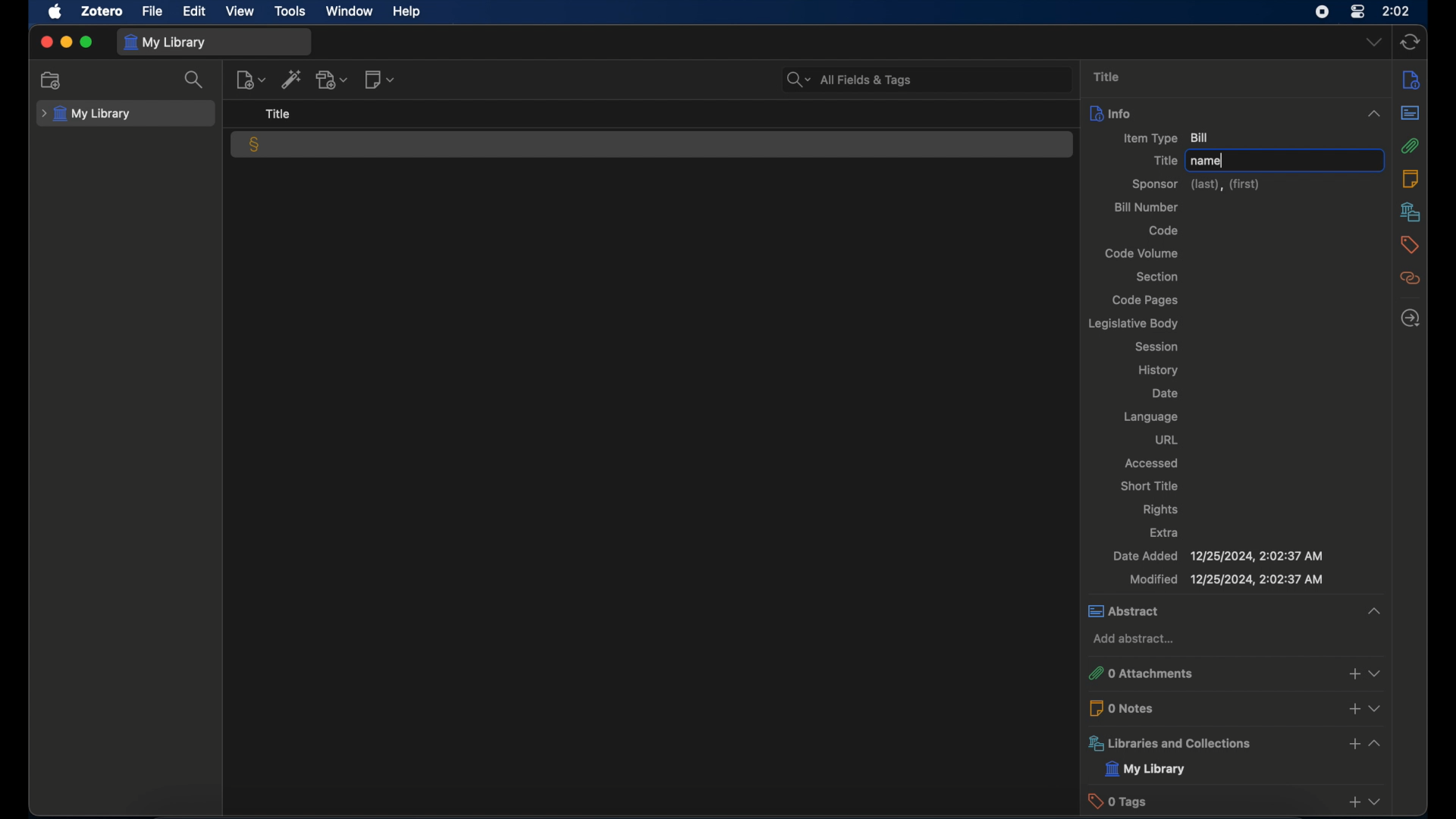  I want to click on my library, so click(164, 42).